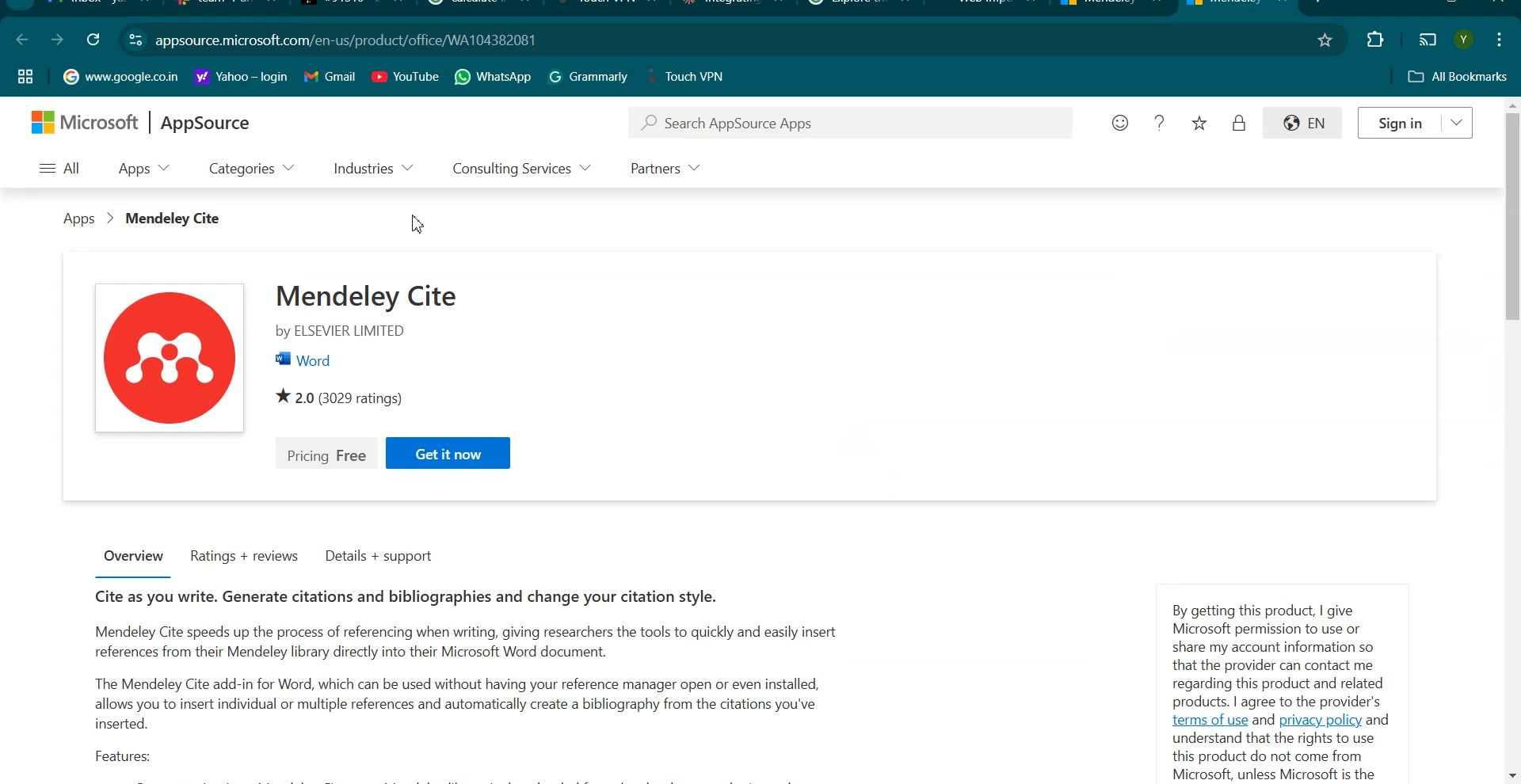  Describe the element at coordinates (170, 356) in the screenshot. I see `Logo` at that location.